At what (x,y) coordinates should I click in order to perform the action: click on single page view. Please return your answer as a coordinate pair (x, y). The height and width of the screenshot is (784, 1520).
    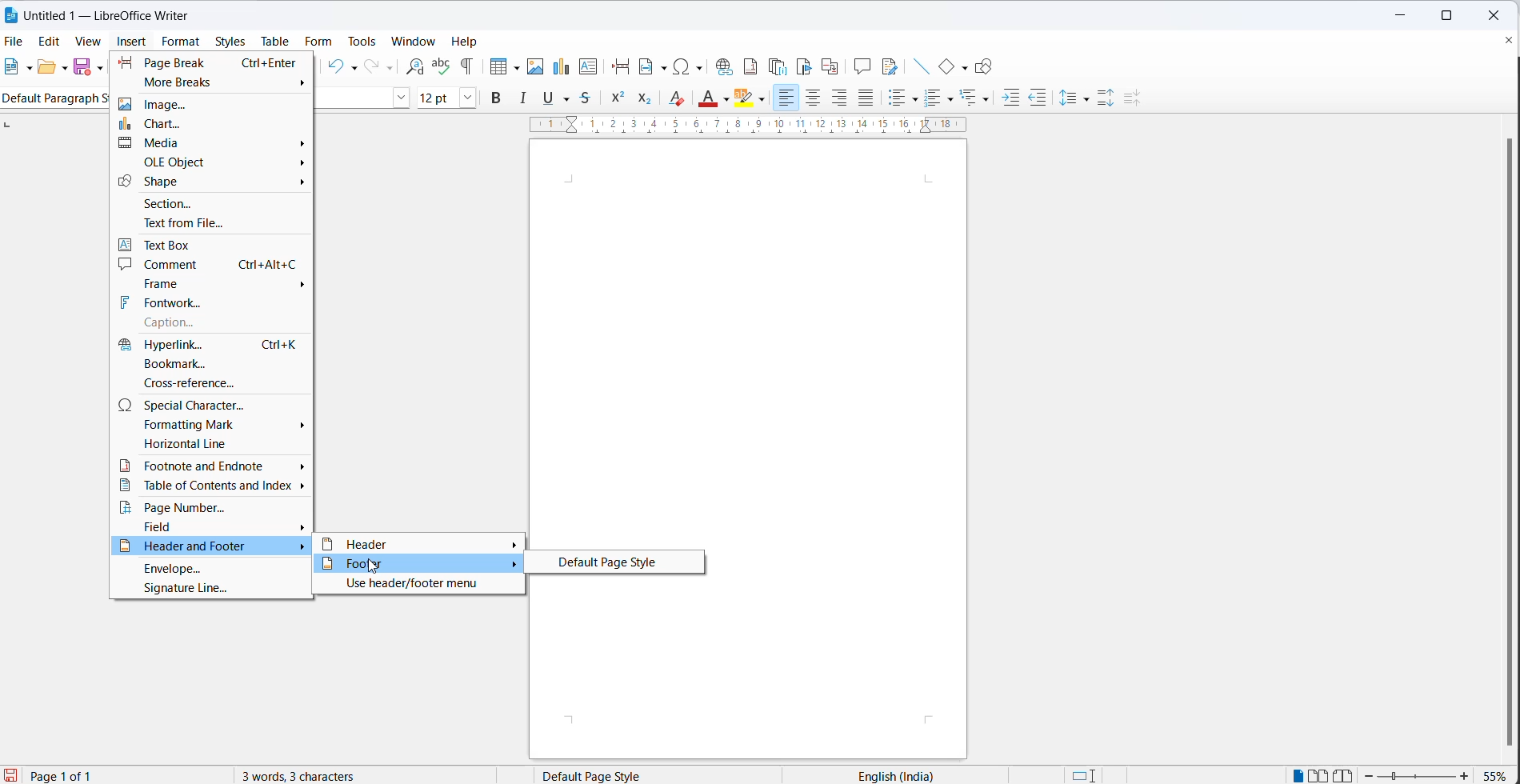
    Looking at the image, I should click on (1294, 775).